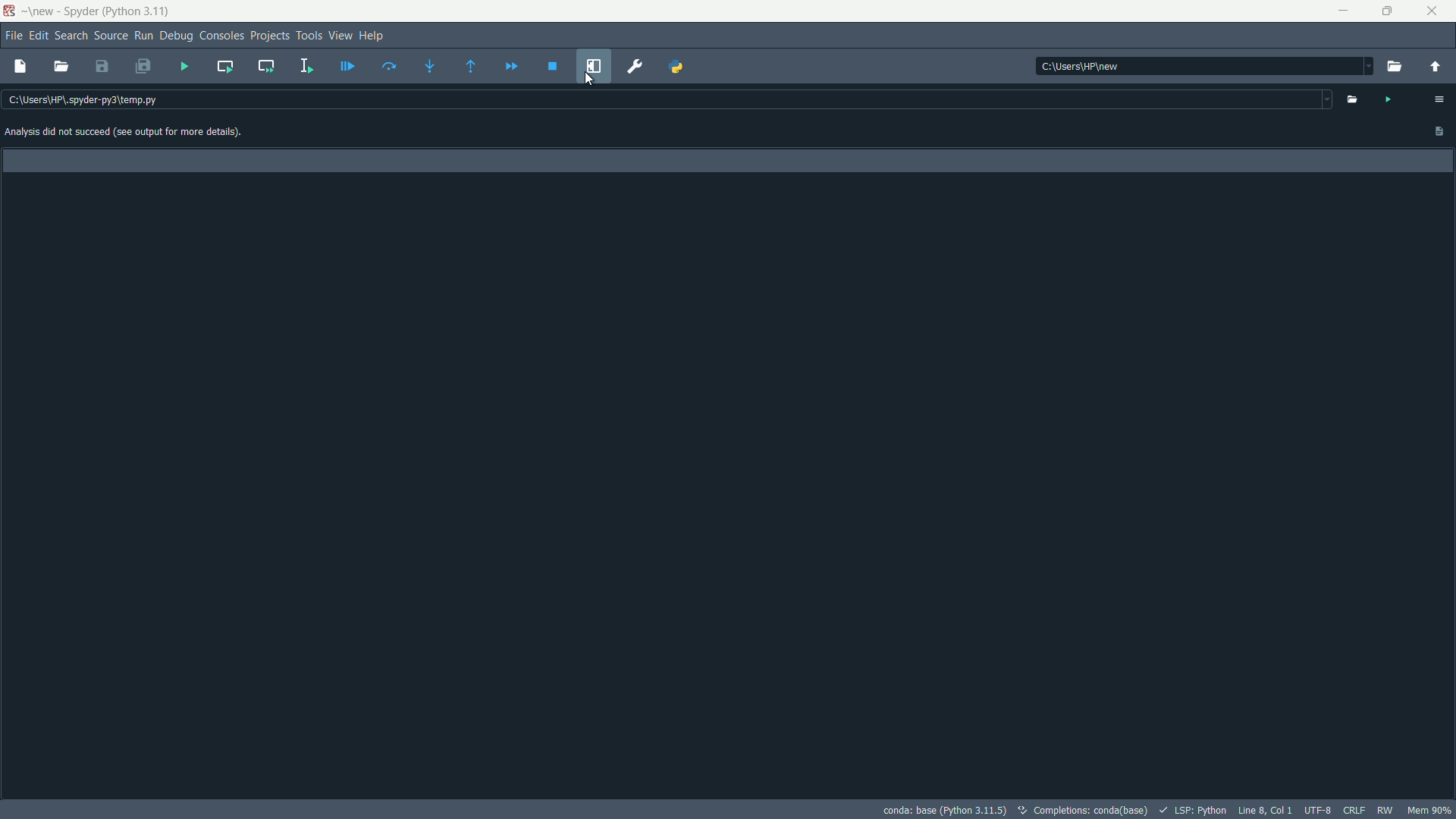  I want to click on LSP:Python, so click(1200, 810).